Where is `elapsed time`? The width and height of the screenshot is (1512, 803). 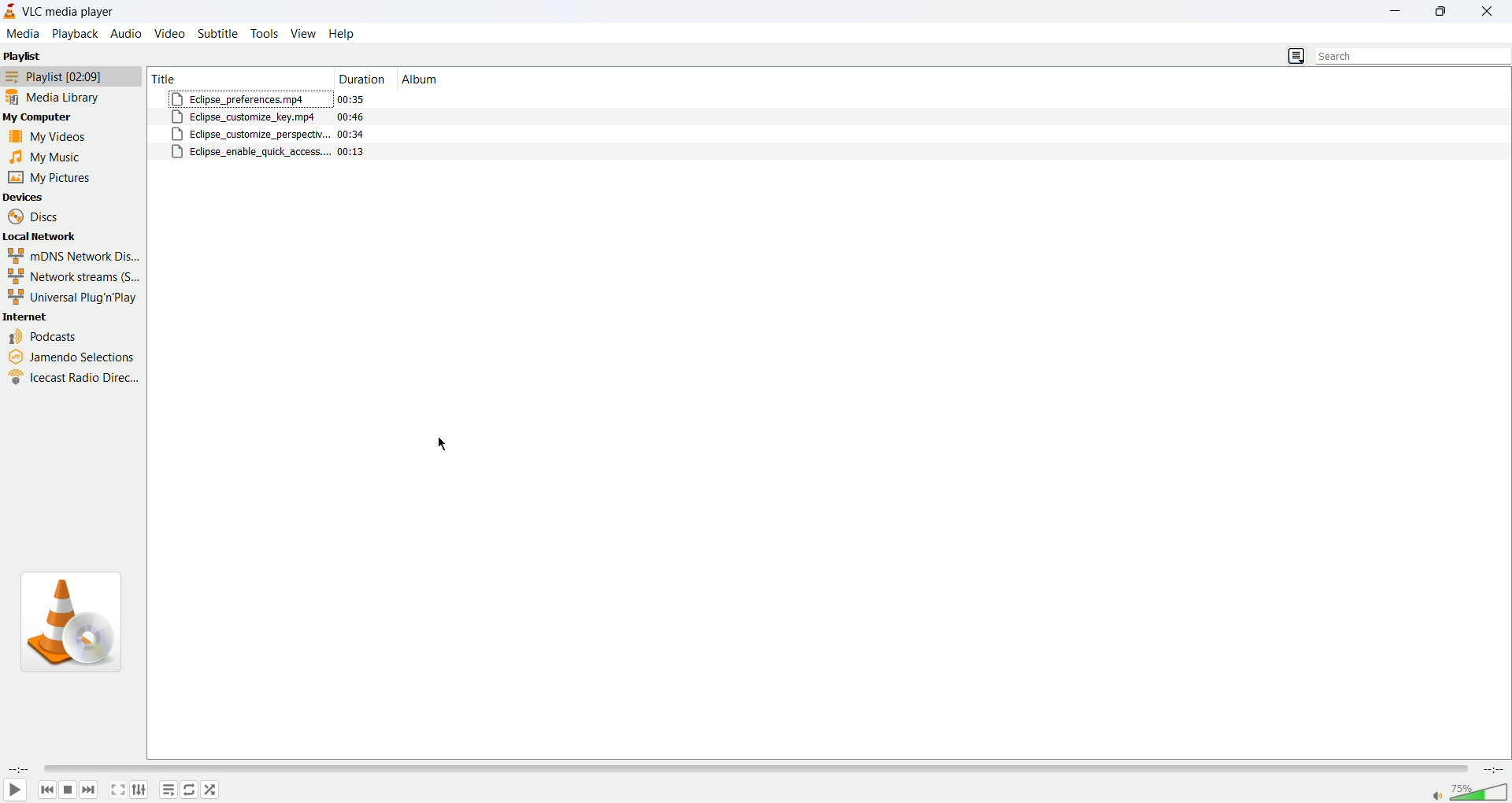 elapsed time is located at coordinates (18, 770).